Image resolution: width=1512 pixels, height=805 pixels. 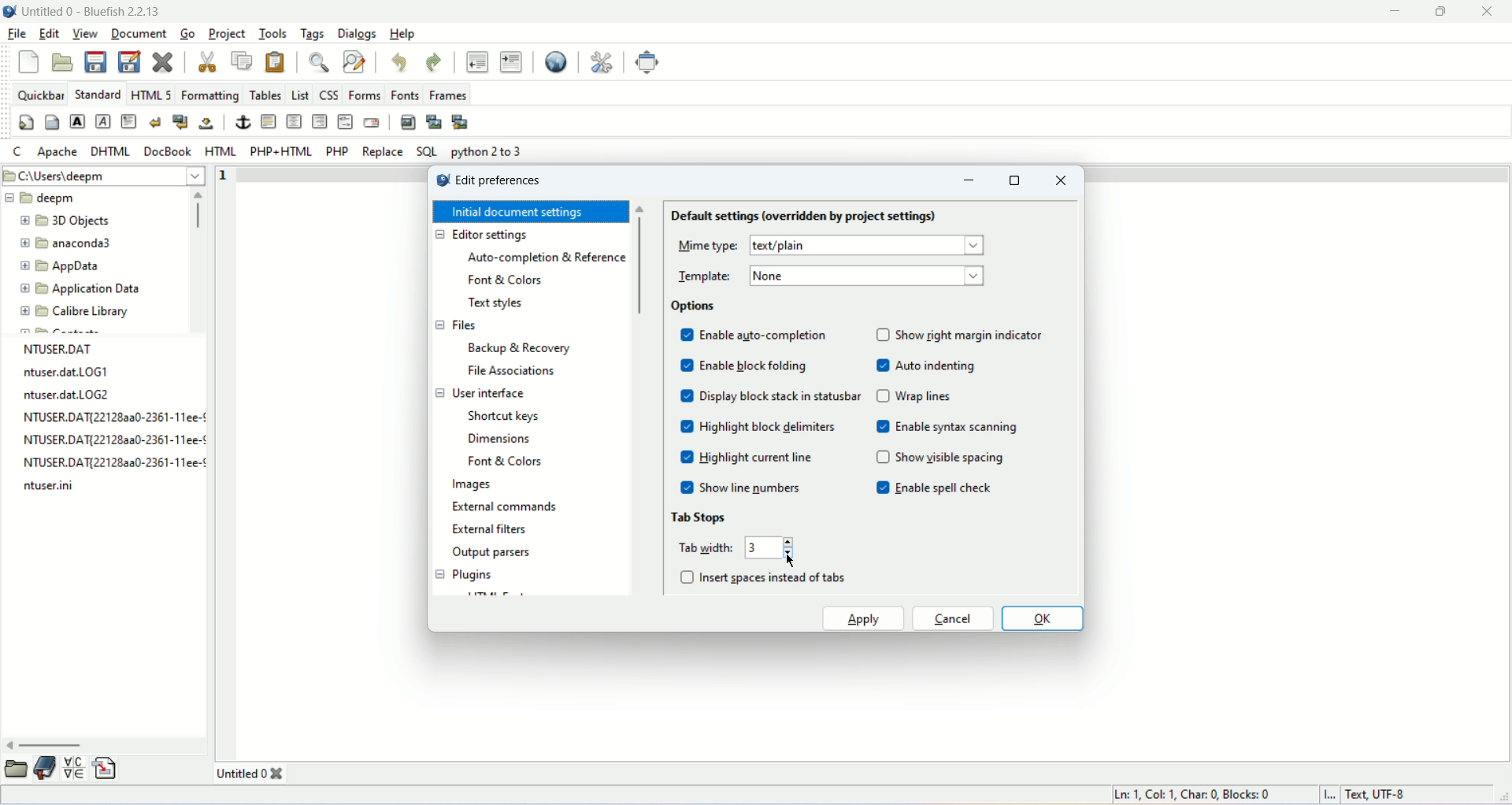 I want to click on horizontal rule, so click(x=268, y=122).